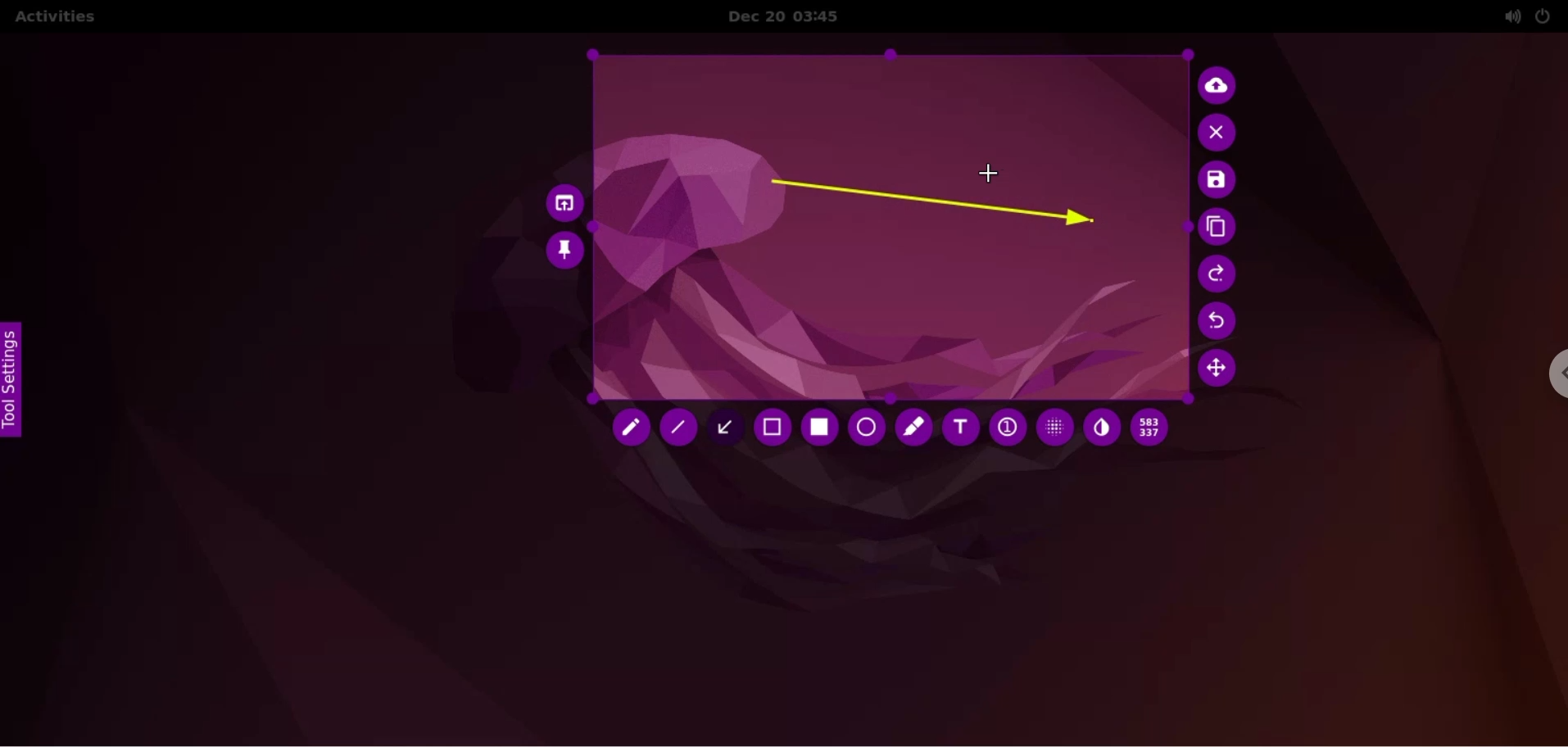 The image size is (1568, 747). What do you see at coordinates (1222, 372) in the screenshot?
I see `move selection` at bounding box center [1222, 372].